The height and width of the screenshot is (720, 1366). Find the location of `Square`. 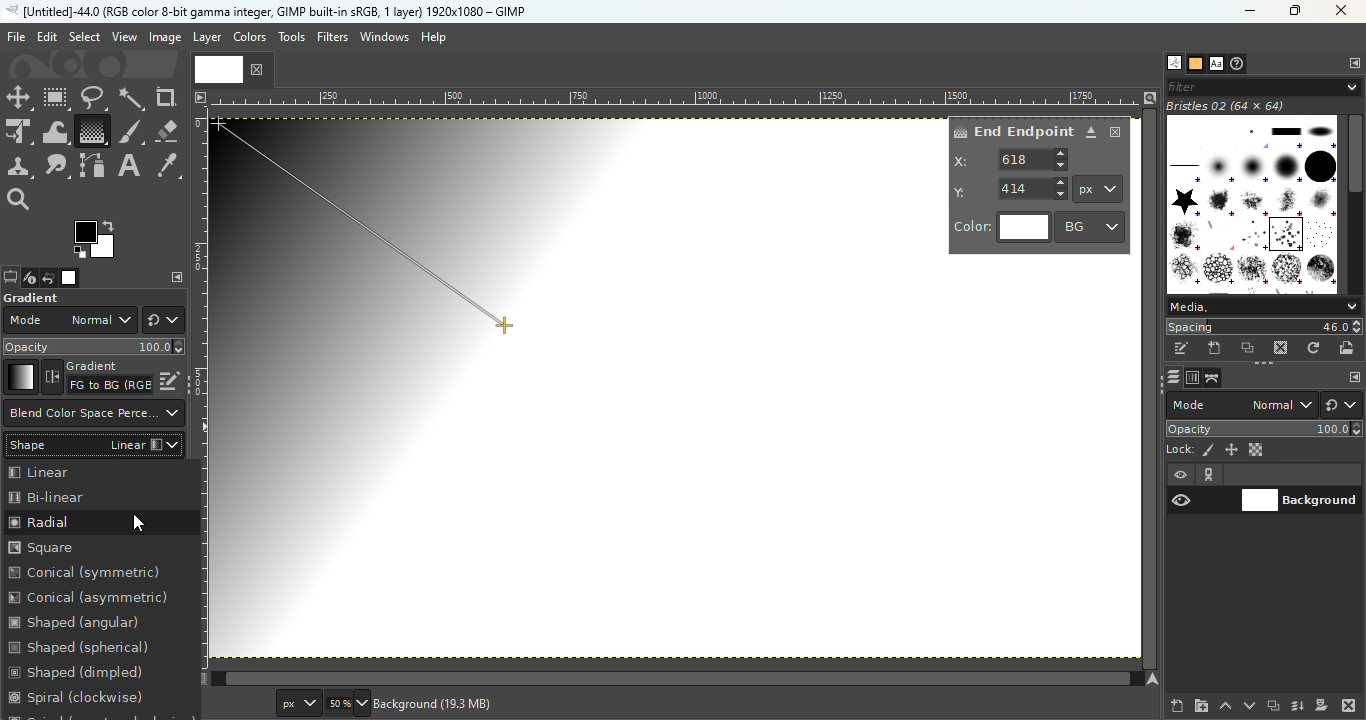

Square is located at coordinates (66, 548).